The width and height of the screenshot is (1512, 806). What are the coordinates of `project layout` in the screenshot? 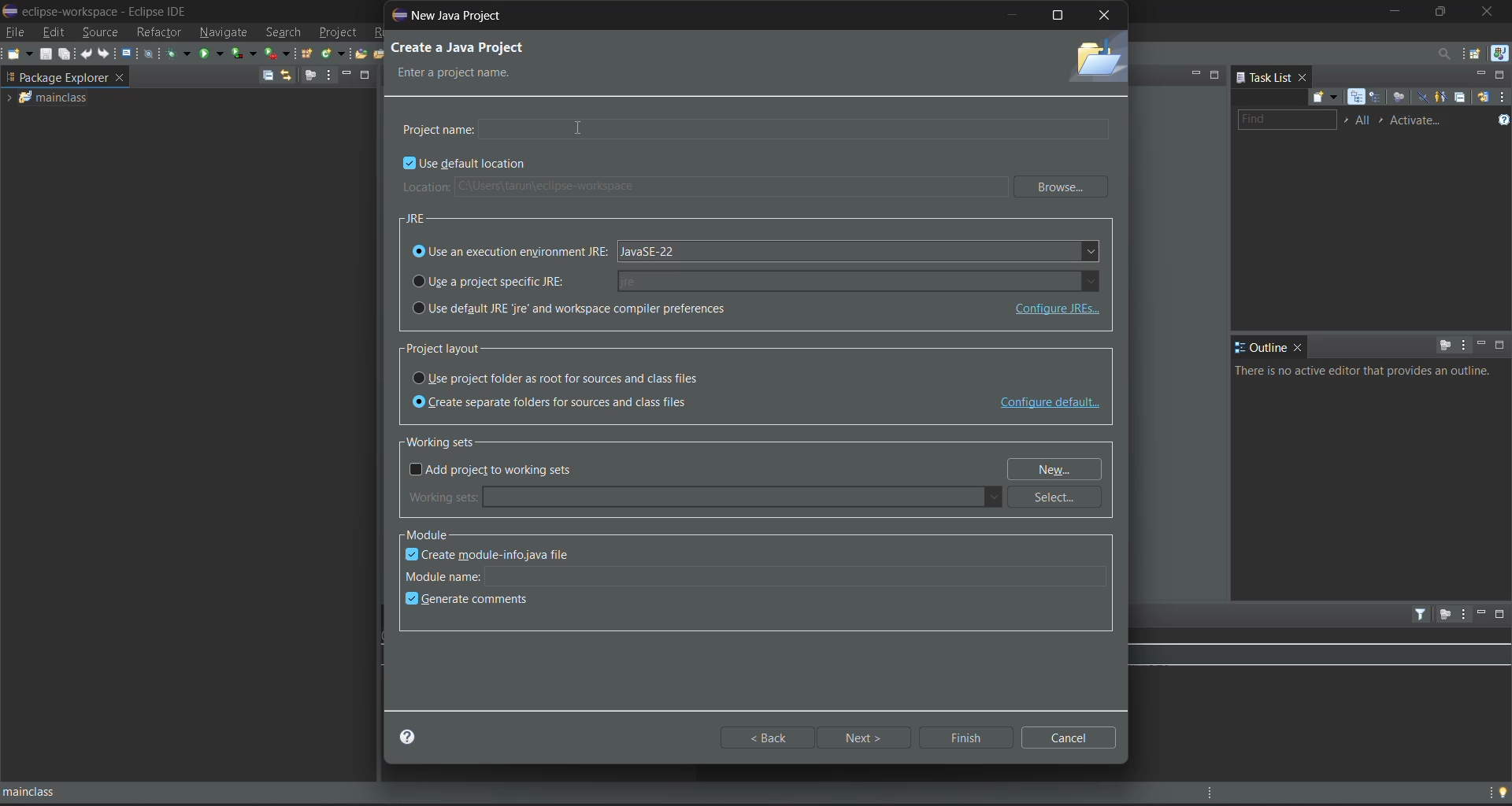 It's located at (456, 349).